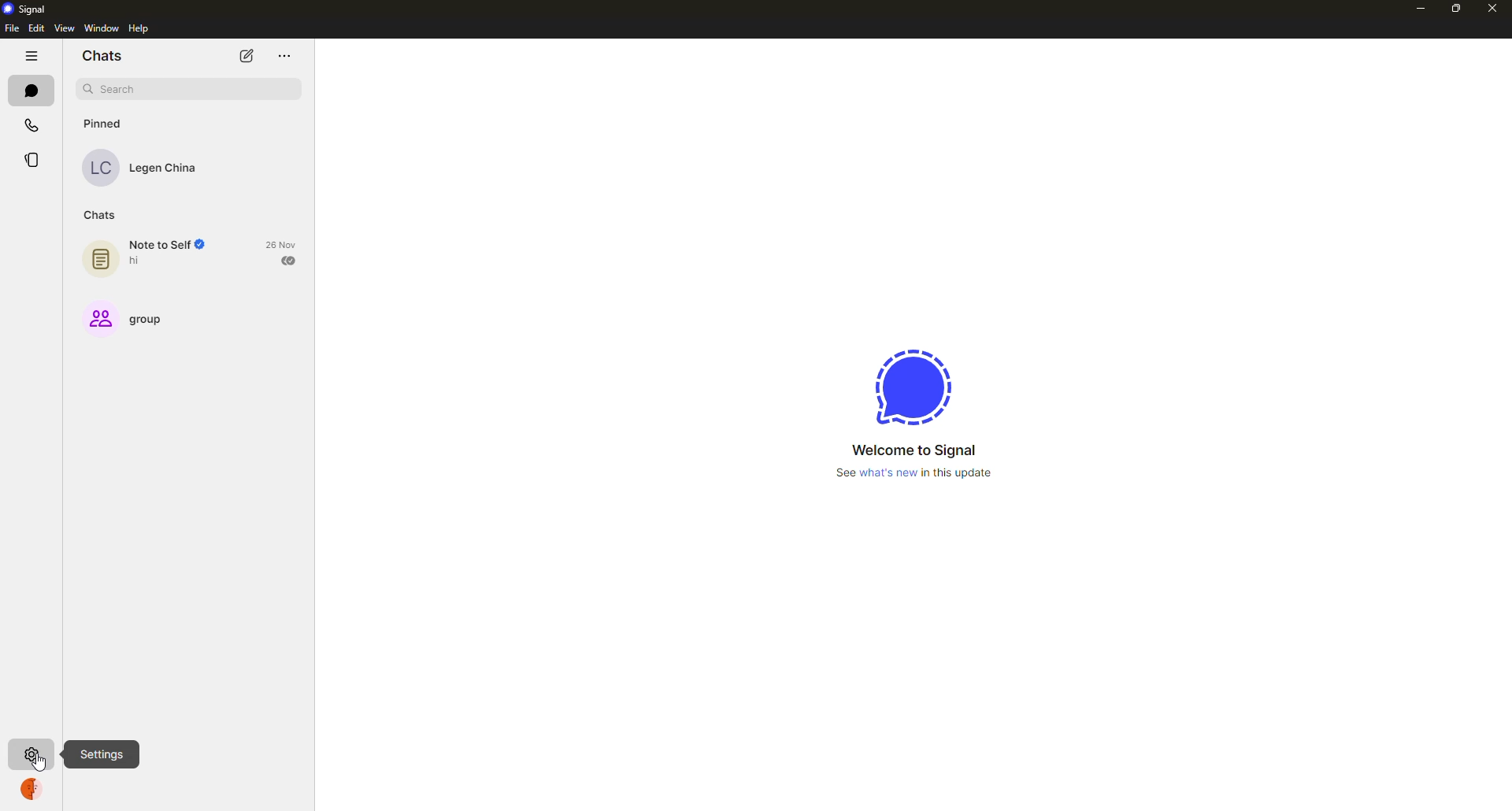 This screenshot has height=811, width=1512. I want to click on stories, so click(36, 160).